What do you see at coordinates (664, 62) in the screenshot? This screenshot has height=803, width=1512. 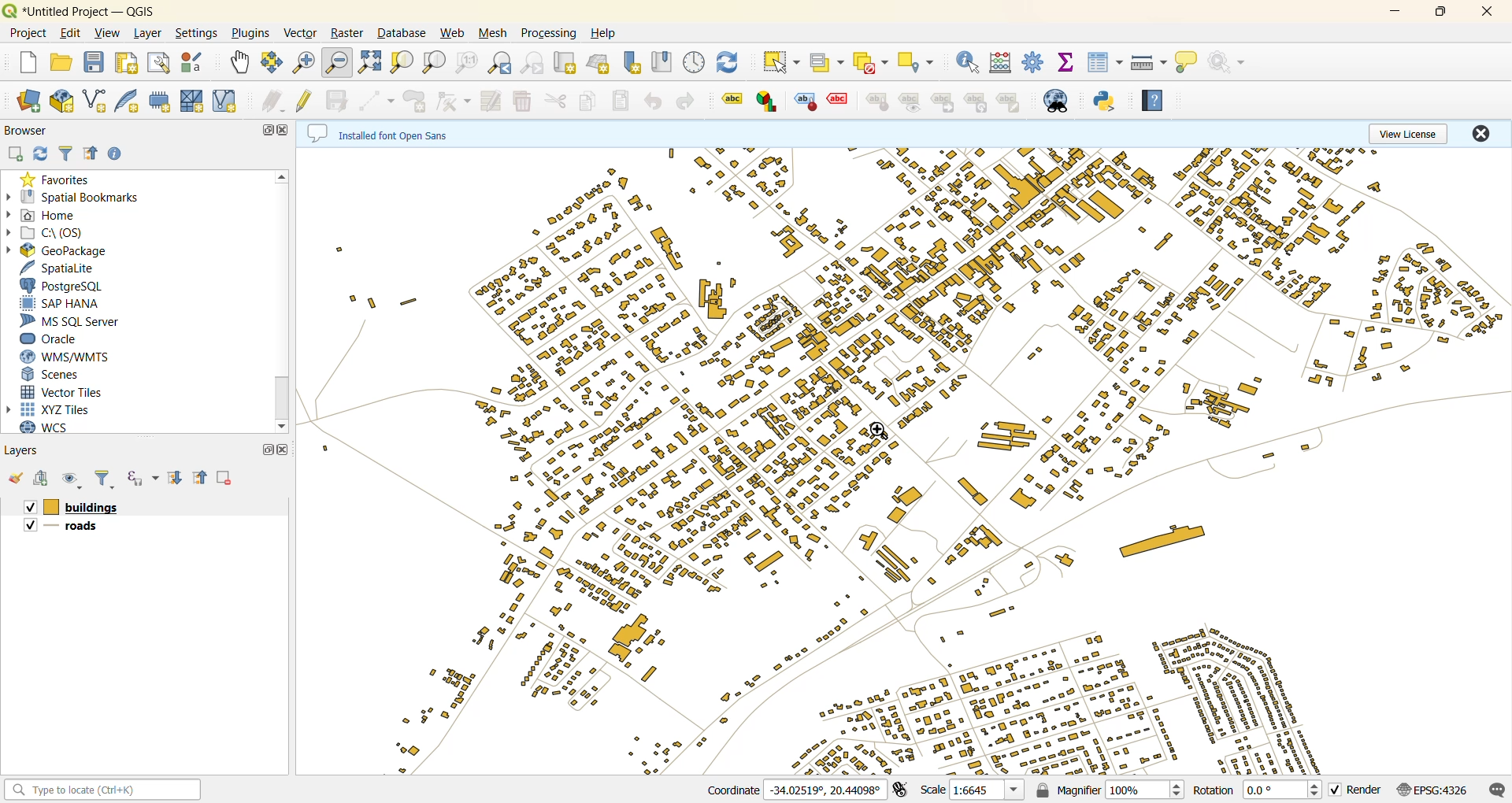 I see `show spatial bookmark` at bounding box center [664, 62].